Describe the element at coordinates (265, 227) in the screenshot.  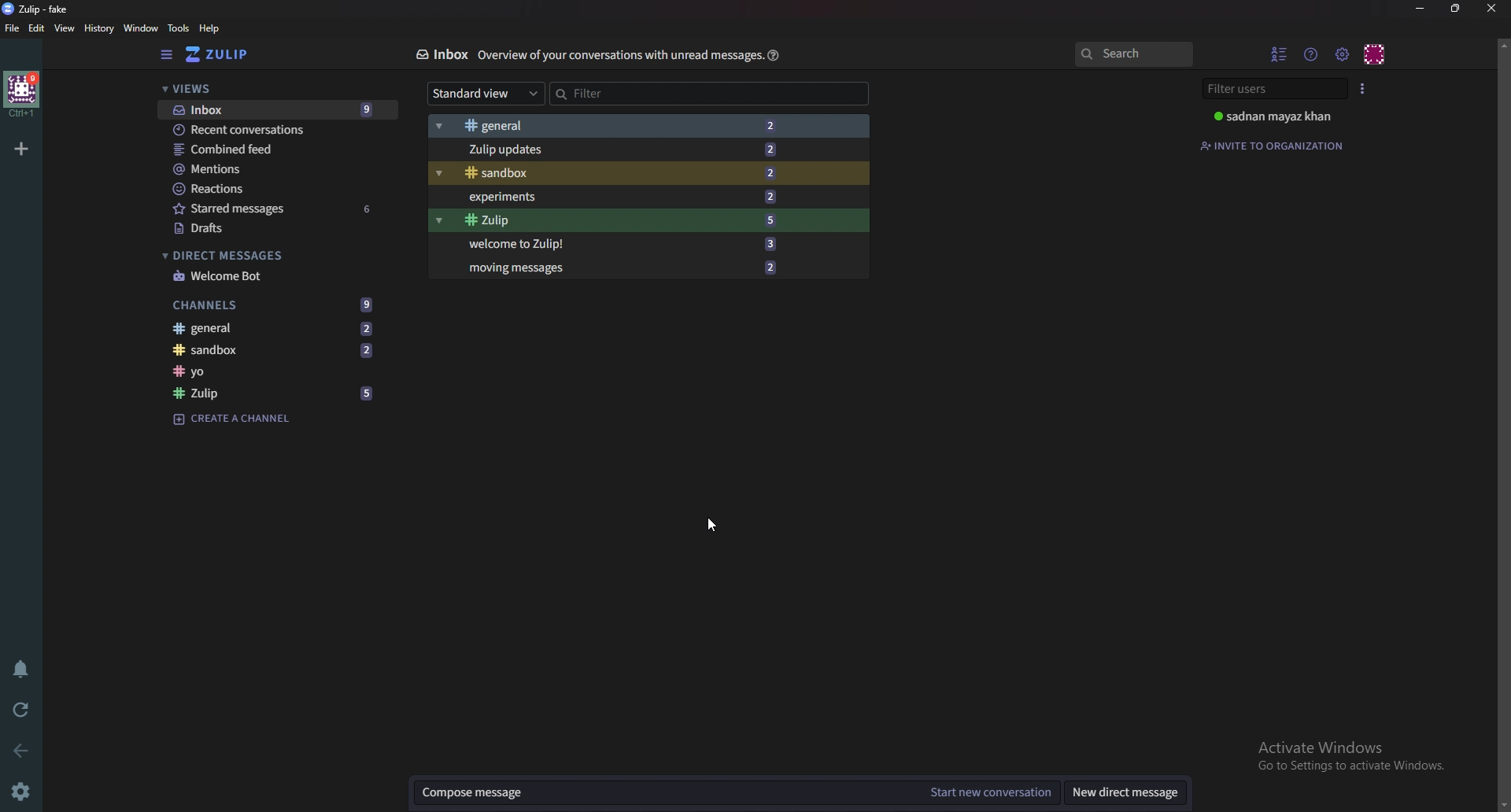
I see `drafts` at that location.